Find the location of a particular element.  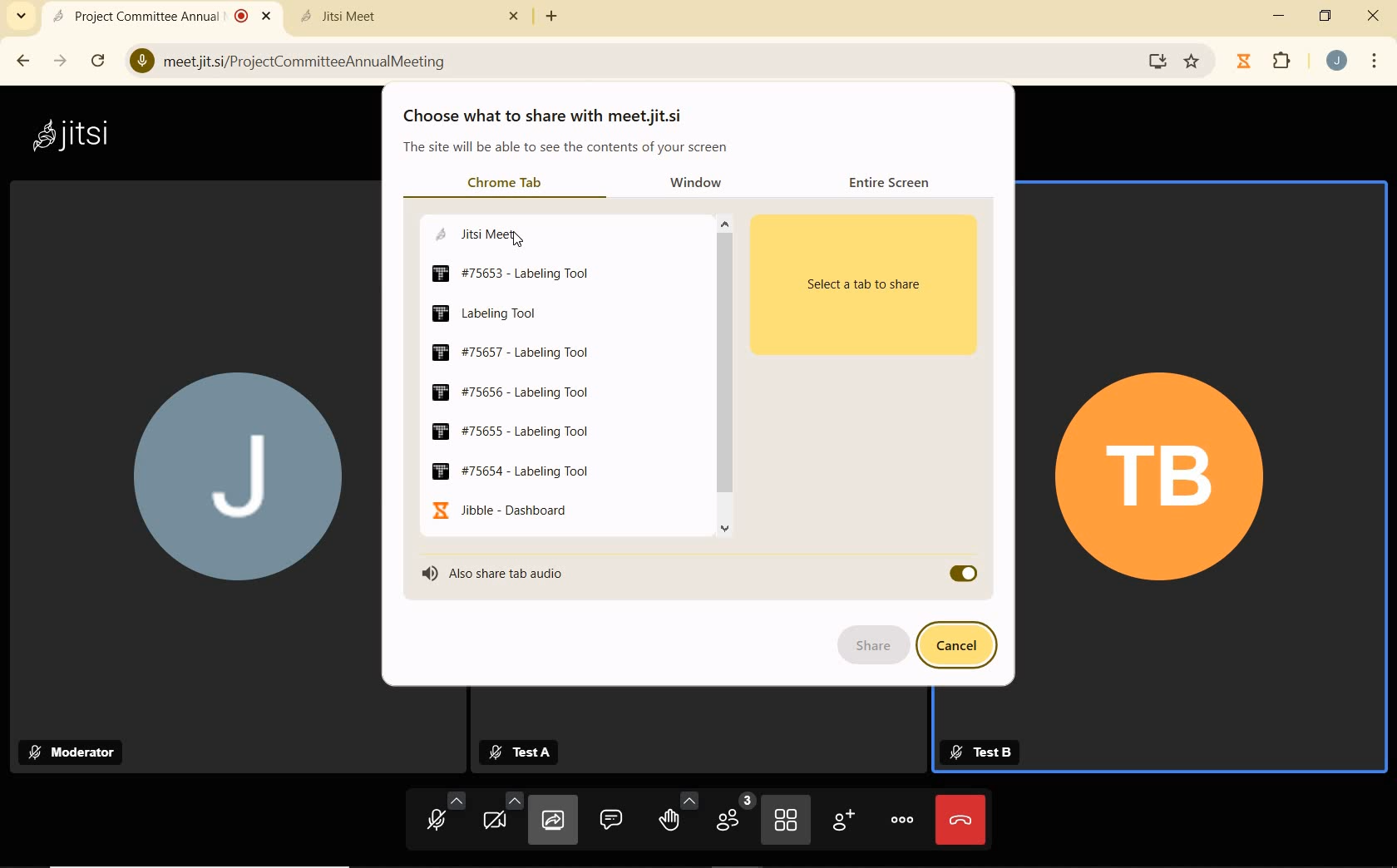

ADD NEW TAB is located at coordinates (552, 16).